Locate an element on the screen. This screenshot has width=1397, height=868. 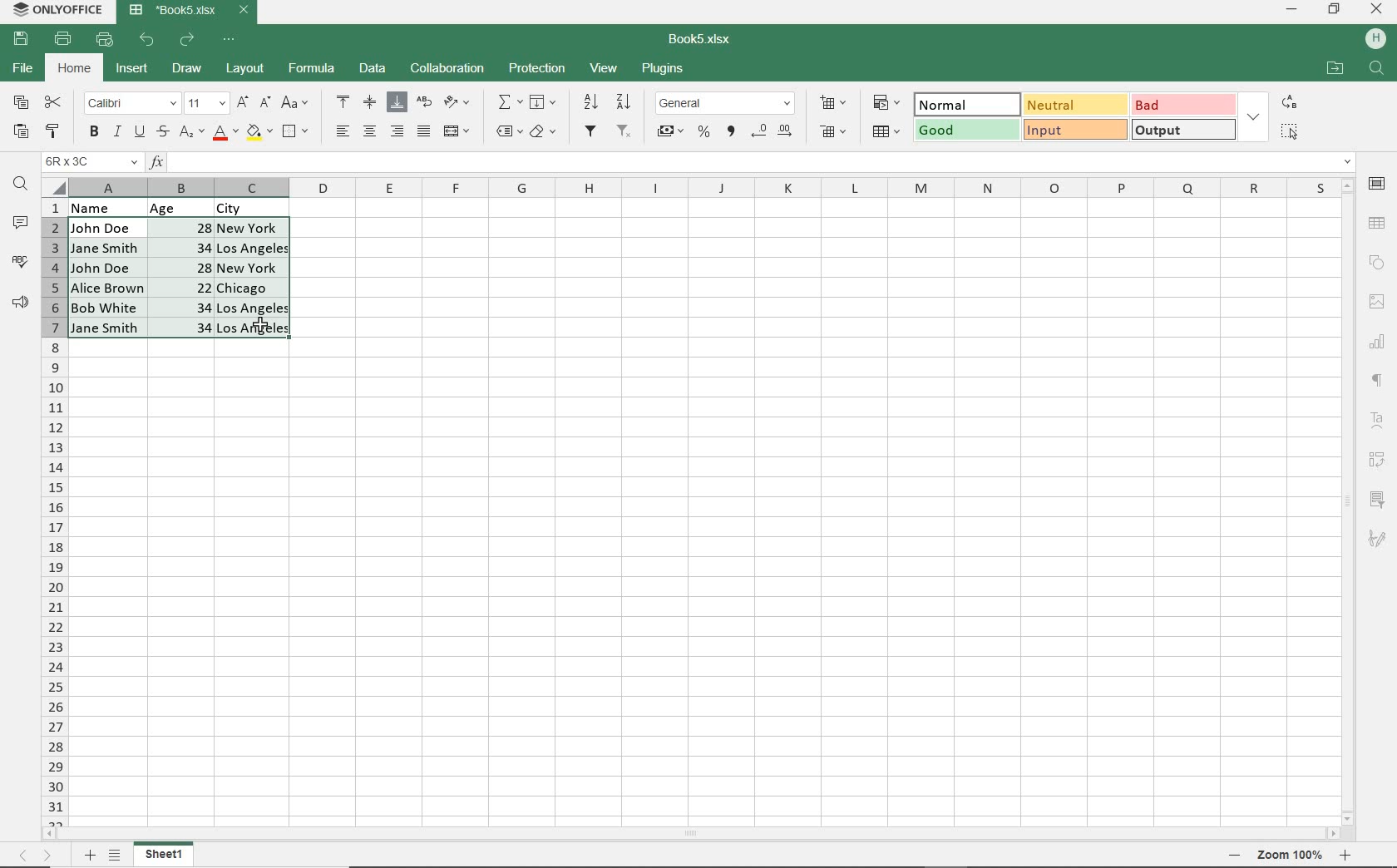
NEUTRAL is located at coordinates (1074, 104).